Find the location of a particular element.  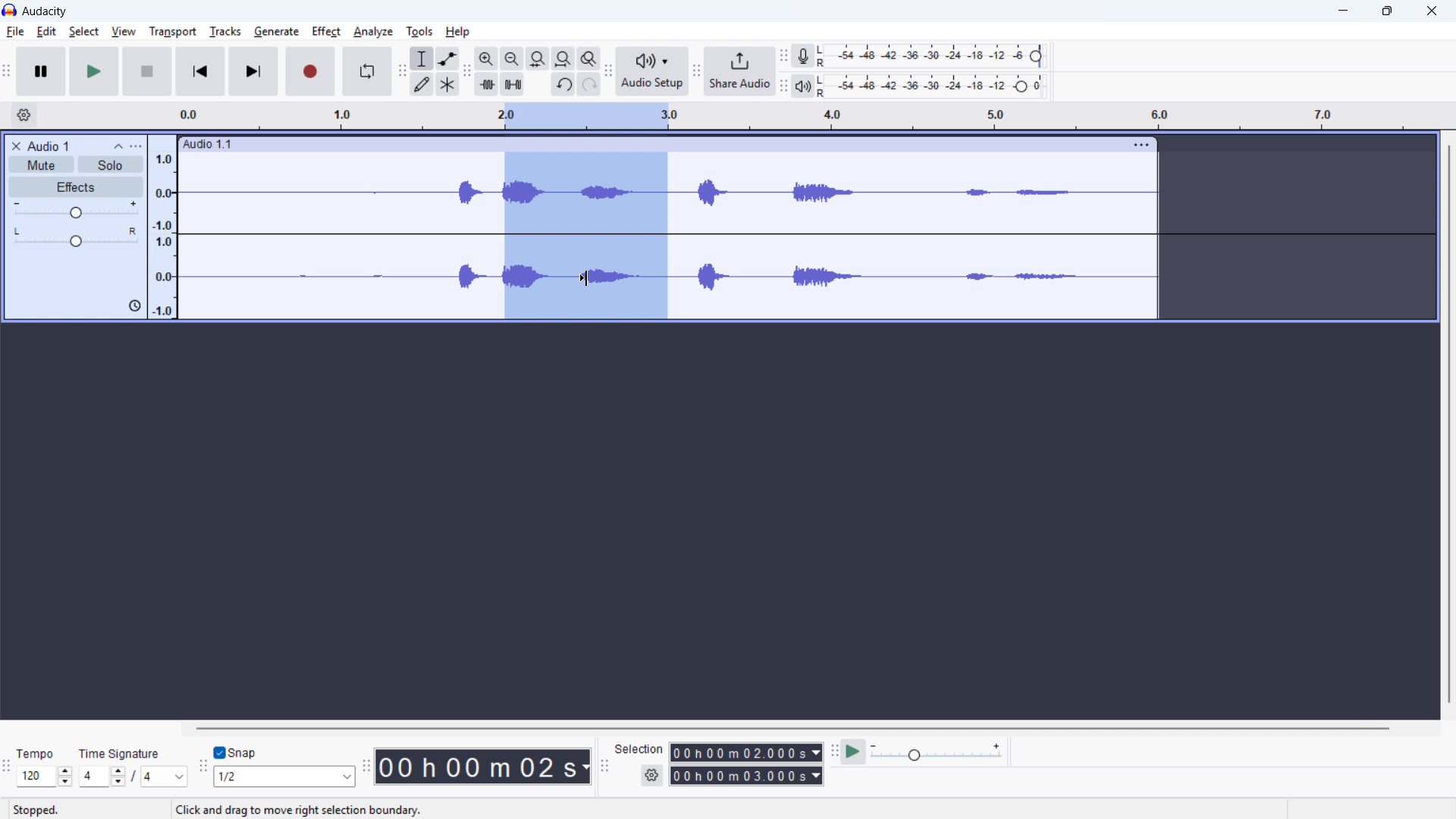

Selection is located at coordinates (640, 748).